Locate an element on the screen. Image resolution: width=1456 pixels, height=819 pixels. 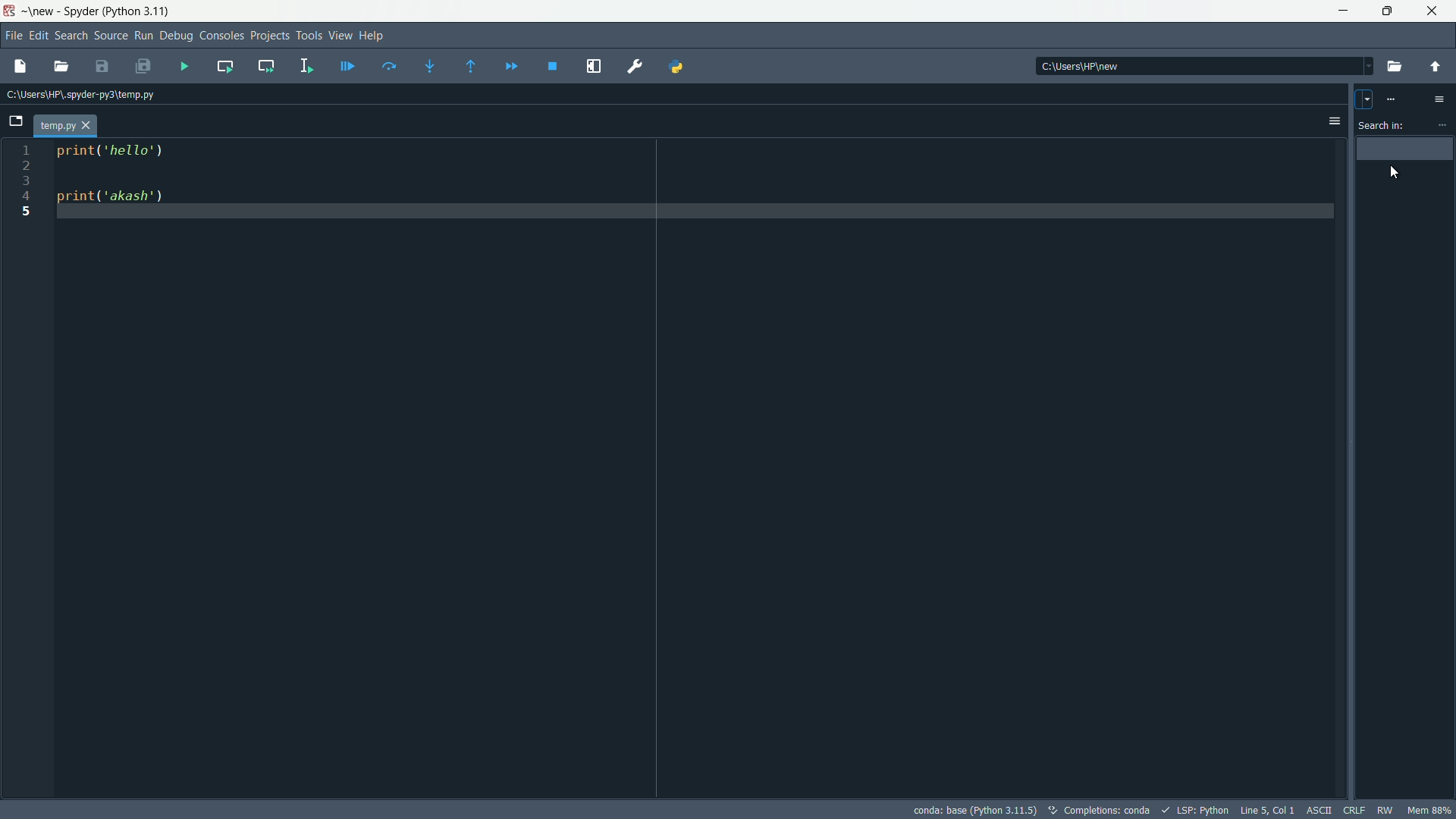
1 2 3 4 5 is located at coordinates (25, 188).